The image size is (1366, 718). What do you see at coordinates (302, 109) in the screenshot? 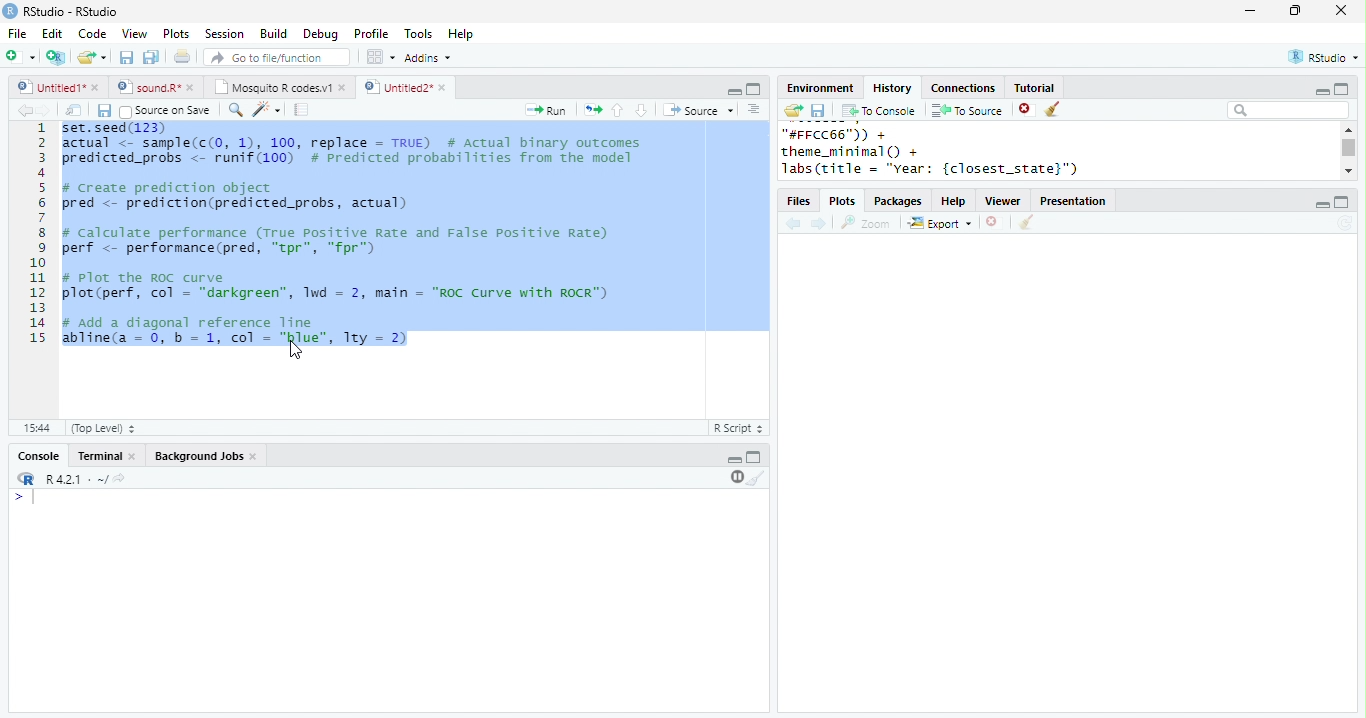
I see `compile report` at bounding box center [302, 109].